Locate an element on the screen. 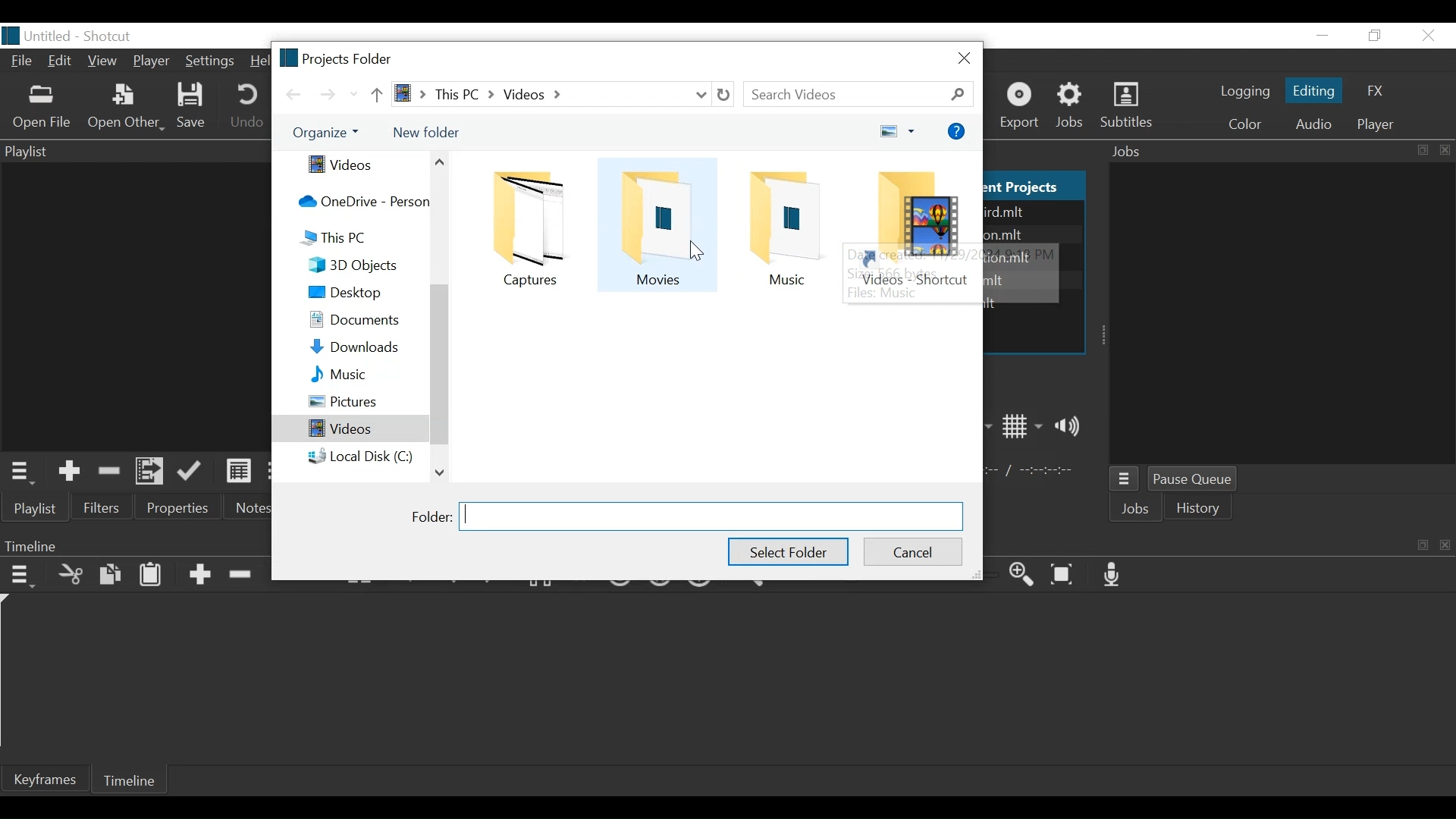 Image resolution: width=1456 pixels, height=819 pixels. File is located at coordinates (22, 62).